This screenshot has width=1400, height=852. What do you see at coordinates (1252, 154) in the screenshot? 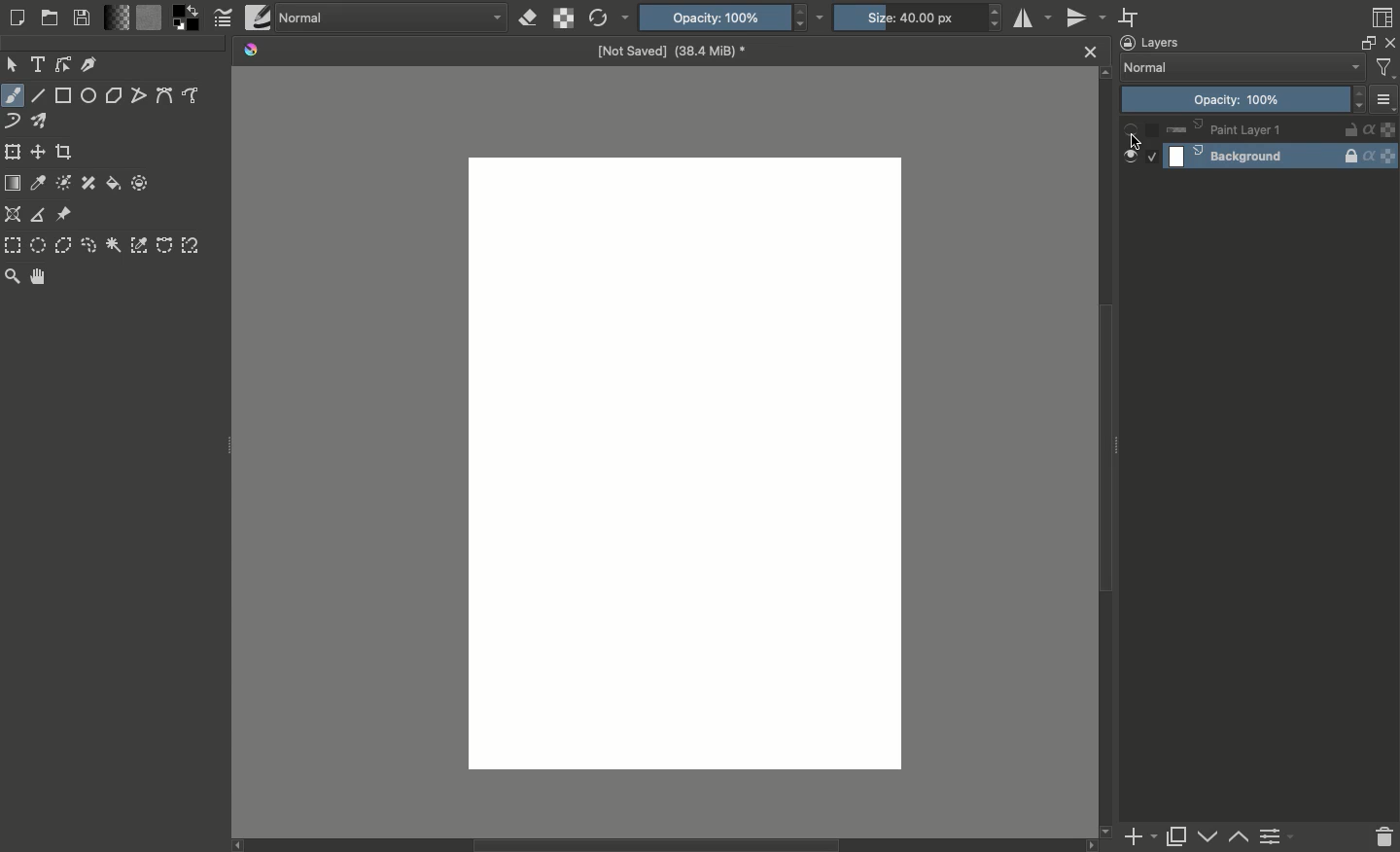
I see `Background layer` at bounding box center [1252, 154].